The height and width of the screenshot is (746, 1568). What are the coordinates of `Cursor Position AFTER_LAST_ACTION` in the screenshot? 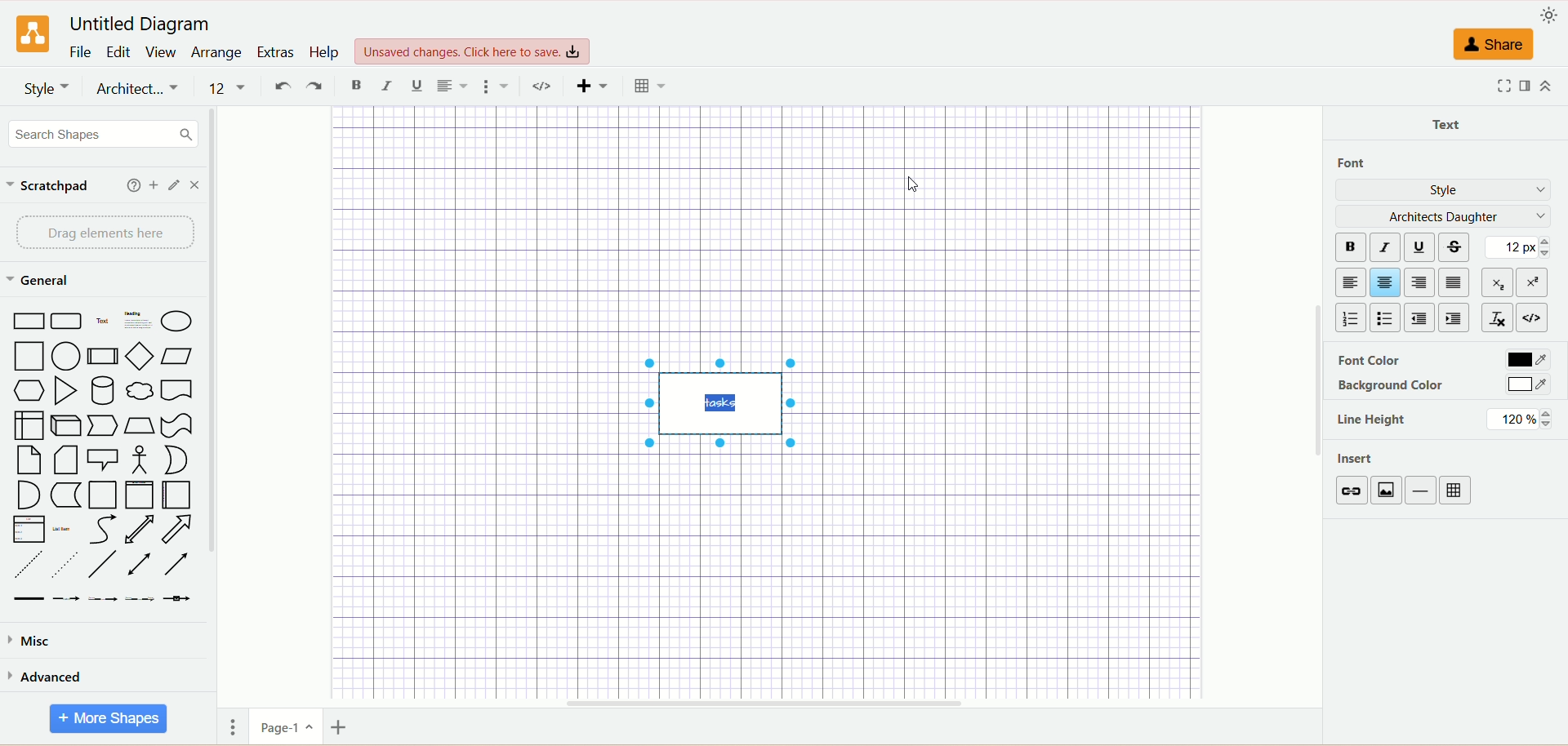 It's located at (918, 184).